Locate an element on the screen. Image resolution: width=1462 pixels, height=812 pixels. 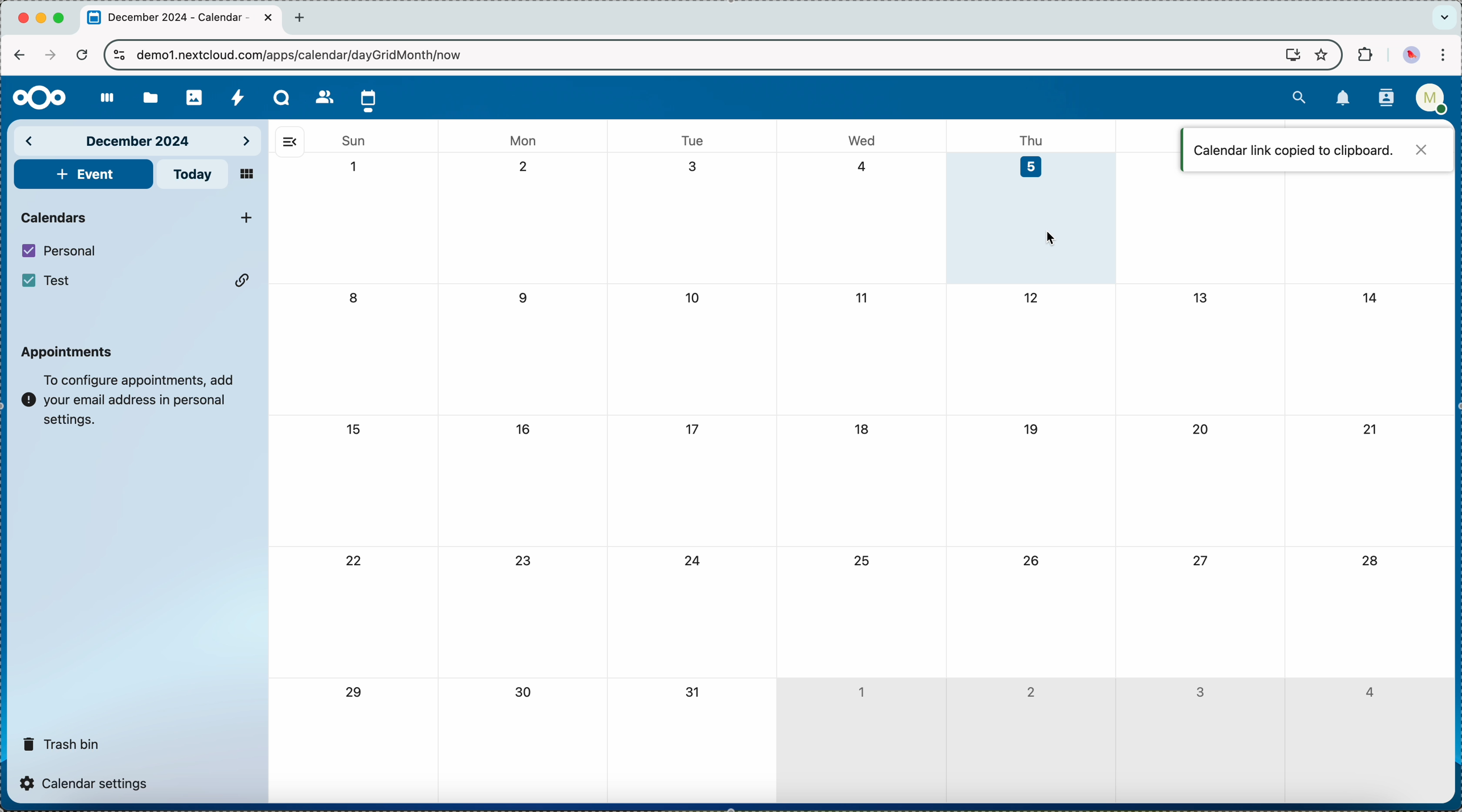
10 is located at coordinates (694, 299).